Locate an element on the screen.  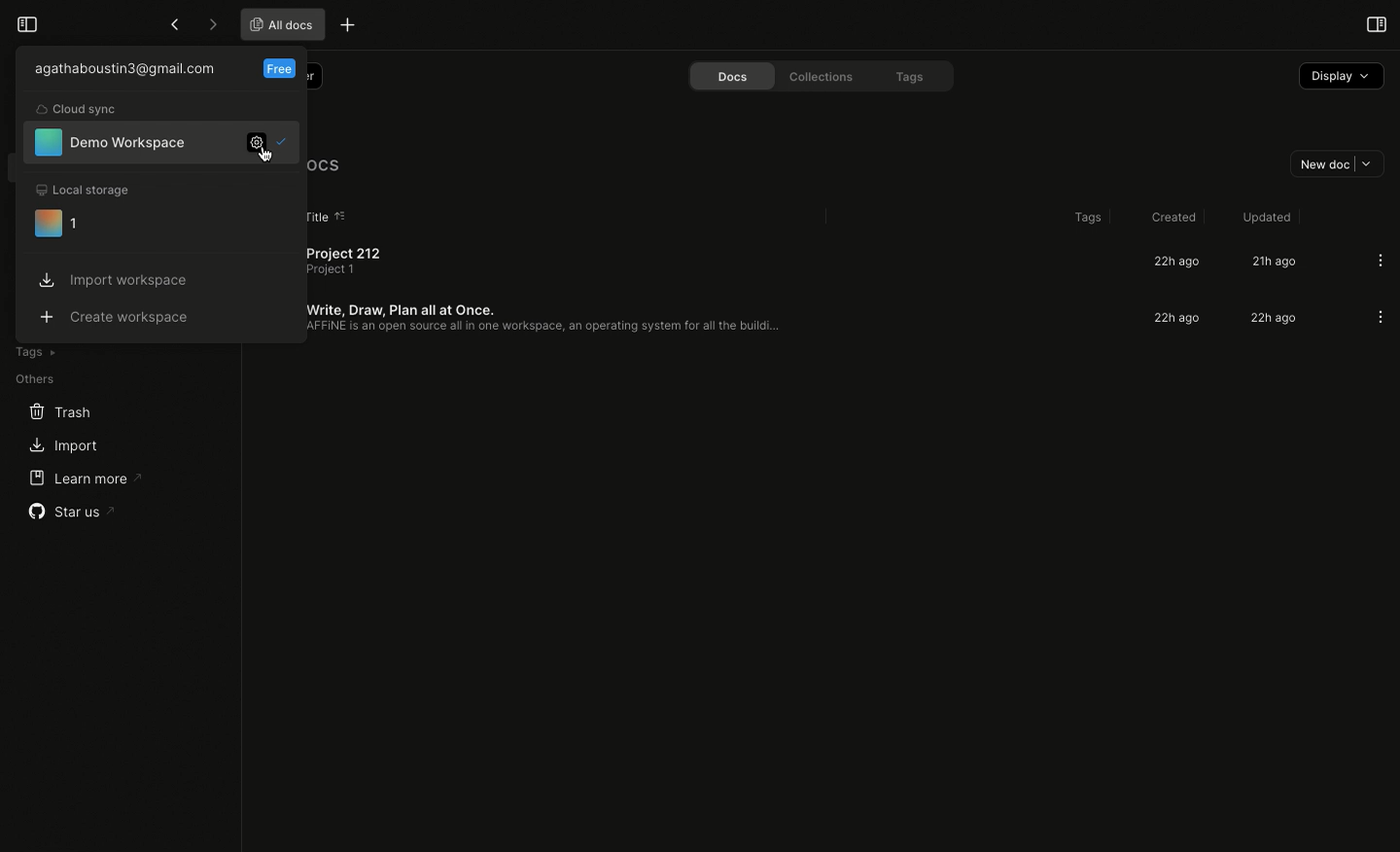
Local storage is located at coordinates (84, 191).